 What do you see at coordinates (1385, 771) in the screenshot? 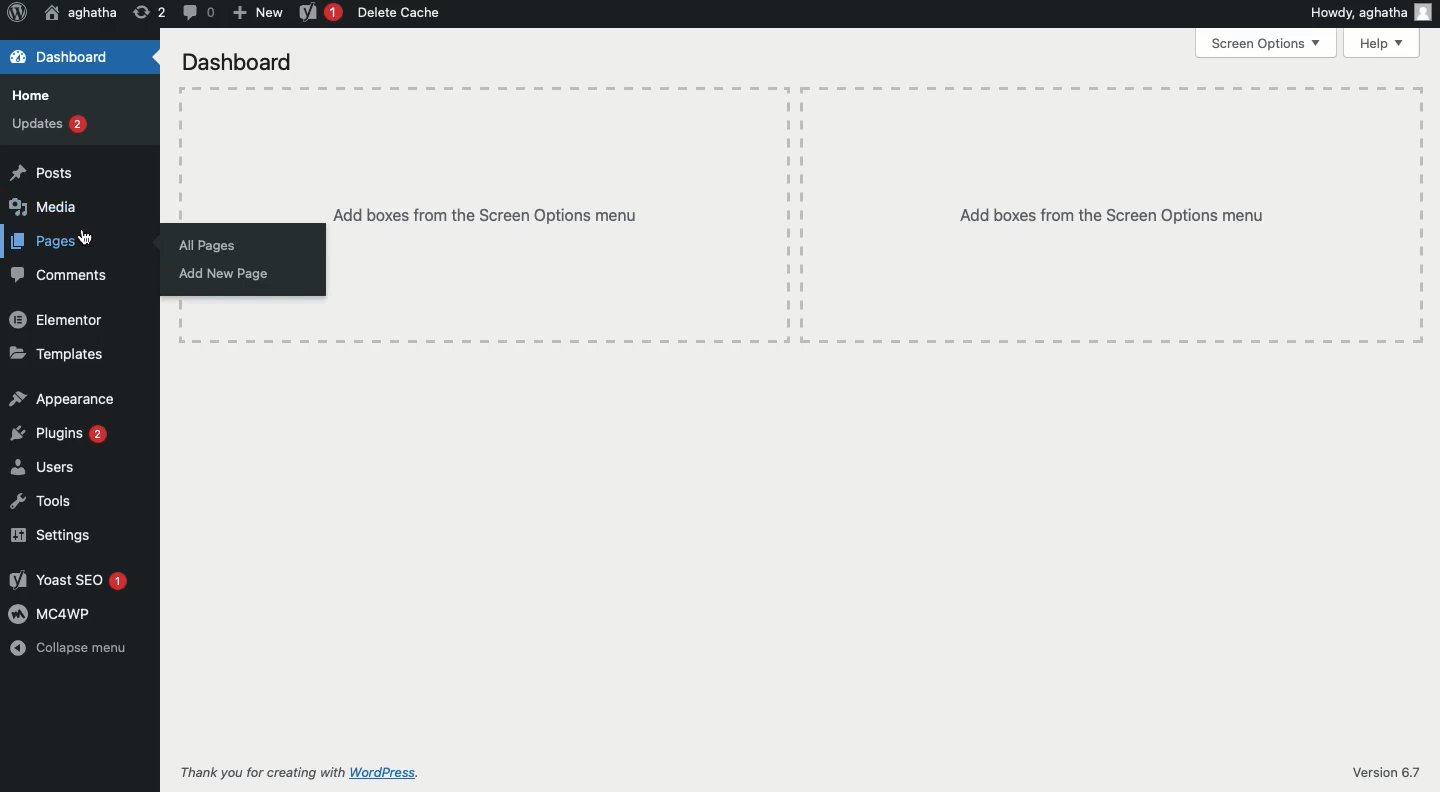
I see `Version 6.7` at bounding box center [1385, 771].